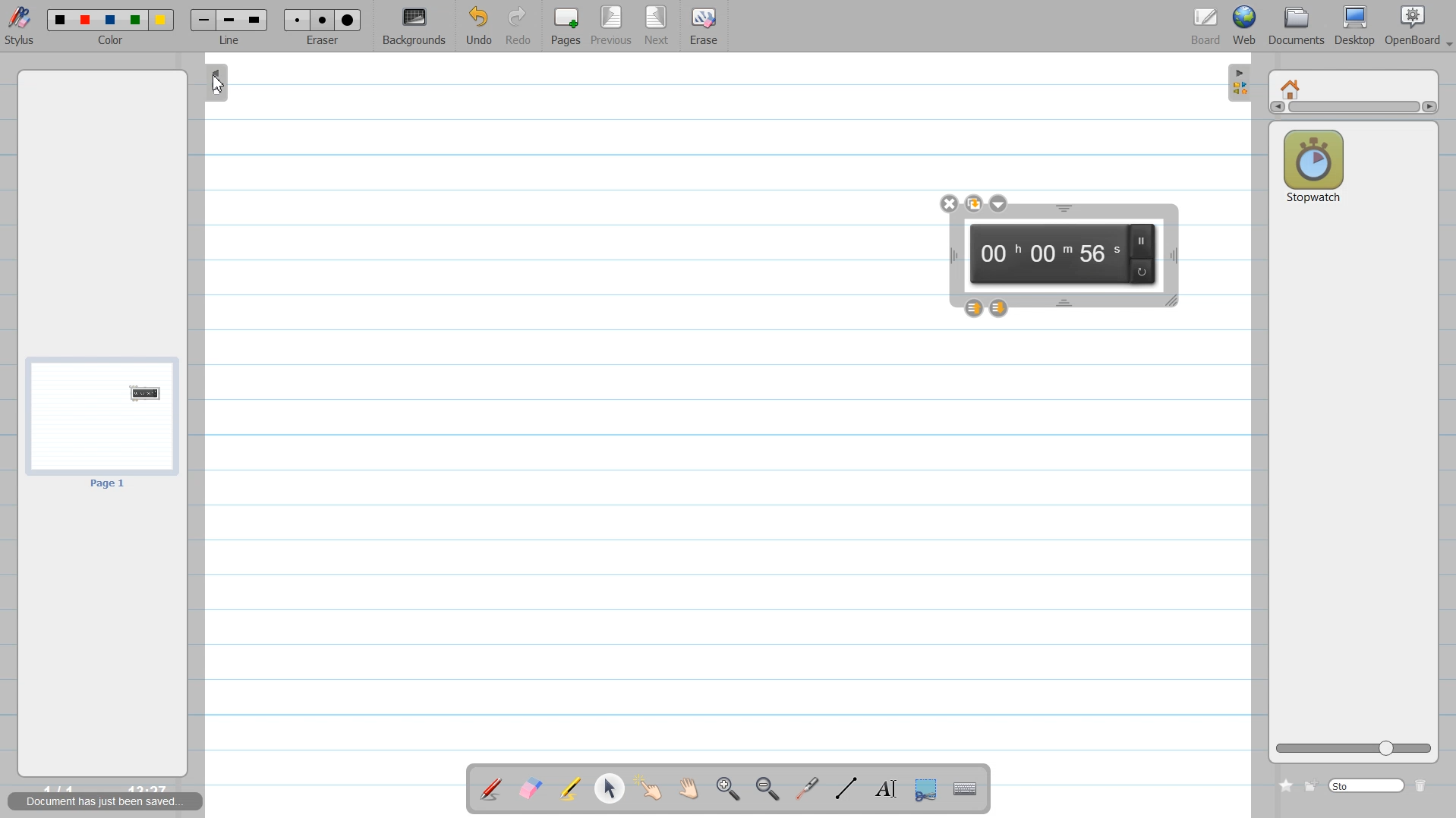 This screenshot has height=818, width=1456. Describe the element at coordinates (704, 27) in the screenshot. I see `Erase` at that location.